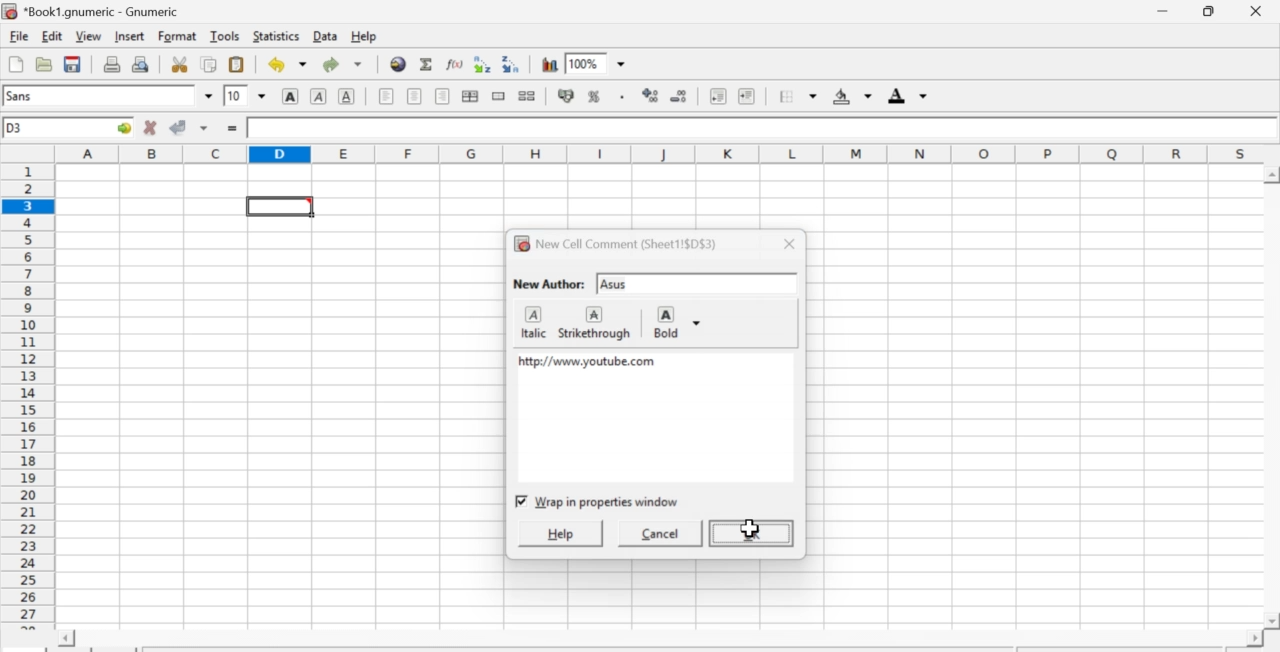  I want to click on New Cell Comment (Sheet1!$D$3), so click(628, 241).